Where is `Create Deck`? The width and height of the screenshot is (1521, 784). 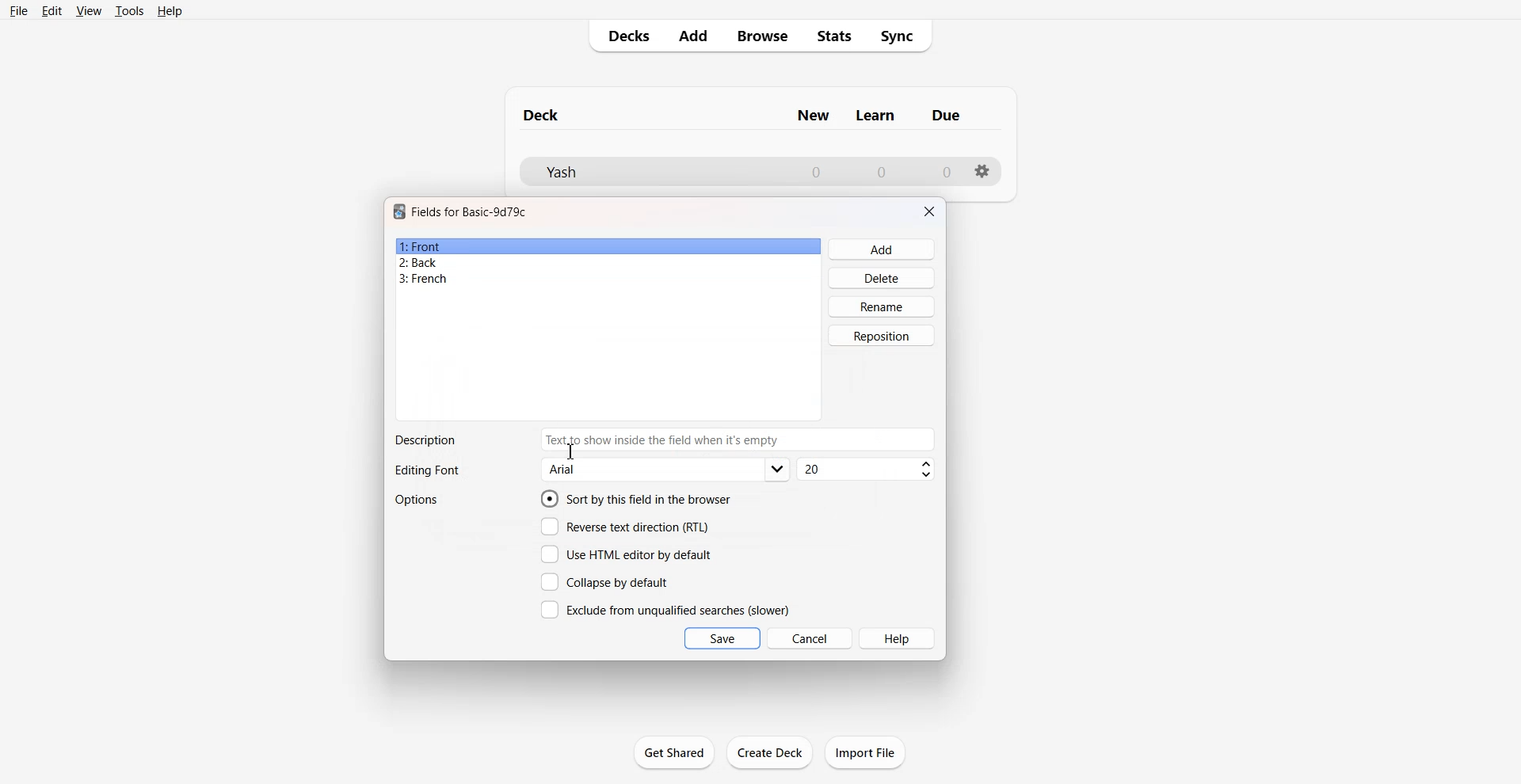 Create Deck is located at coordinates (771, 752).